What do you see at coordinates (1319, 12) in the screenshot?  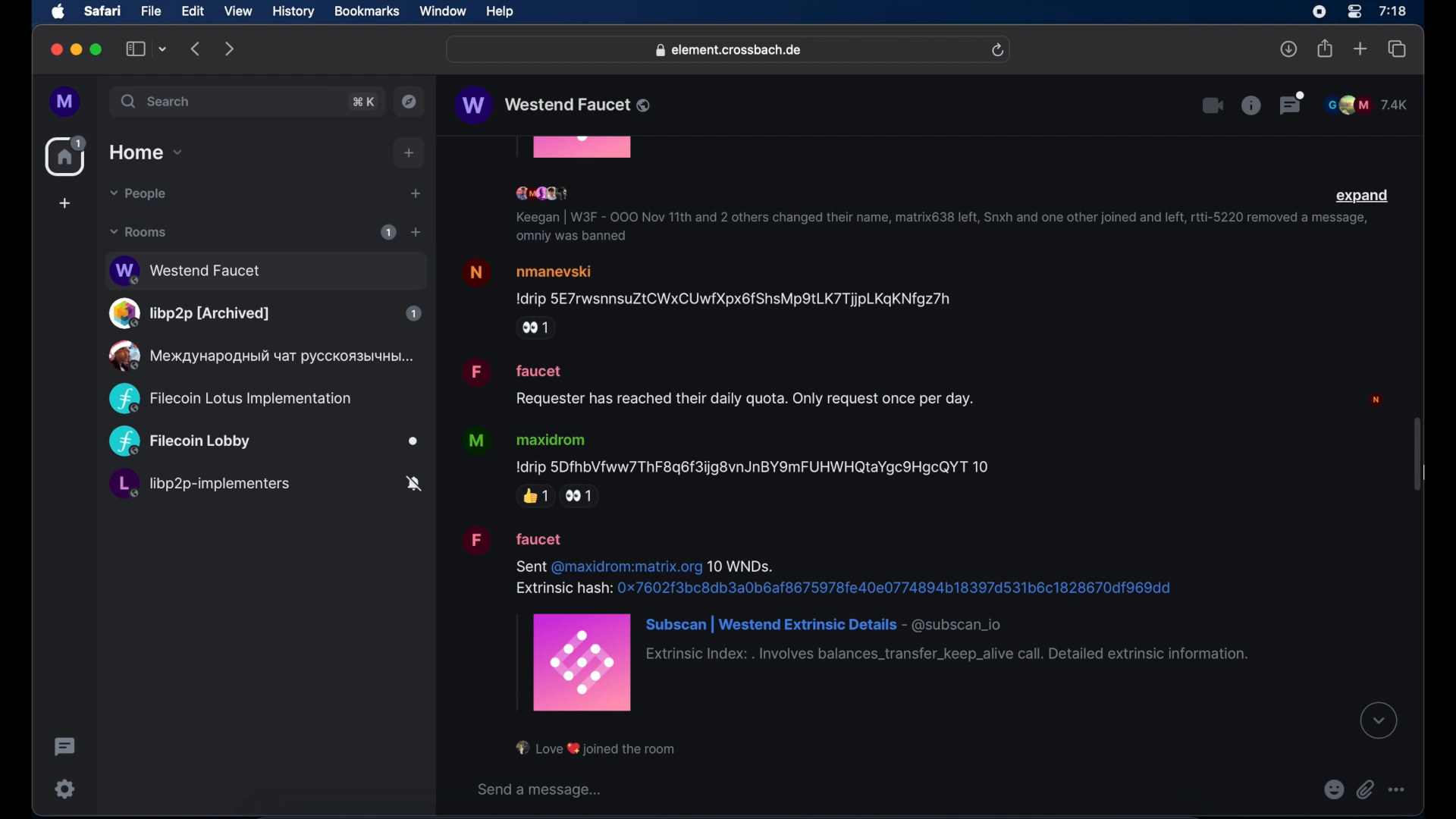 I see `screen recorder icon` at bounding box center [1319, 12].